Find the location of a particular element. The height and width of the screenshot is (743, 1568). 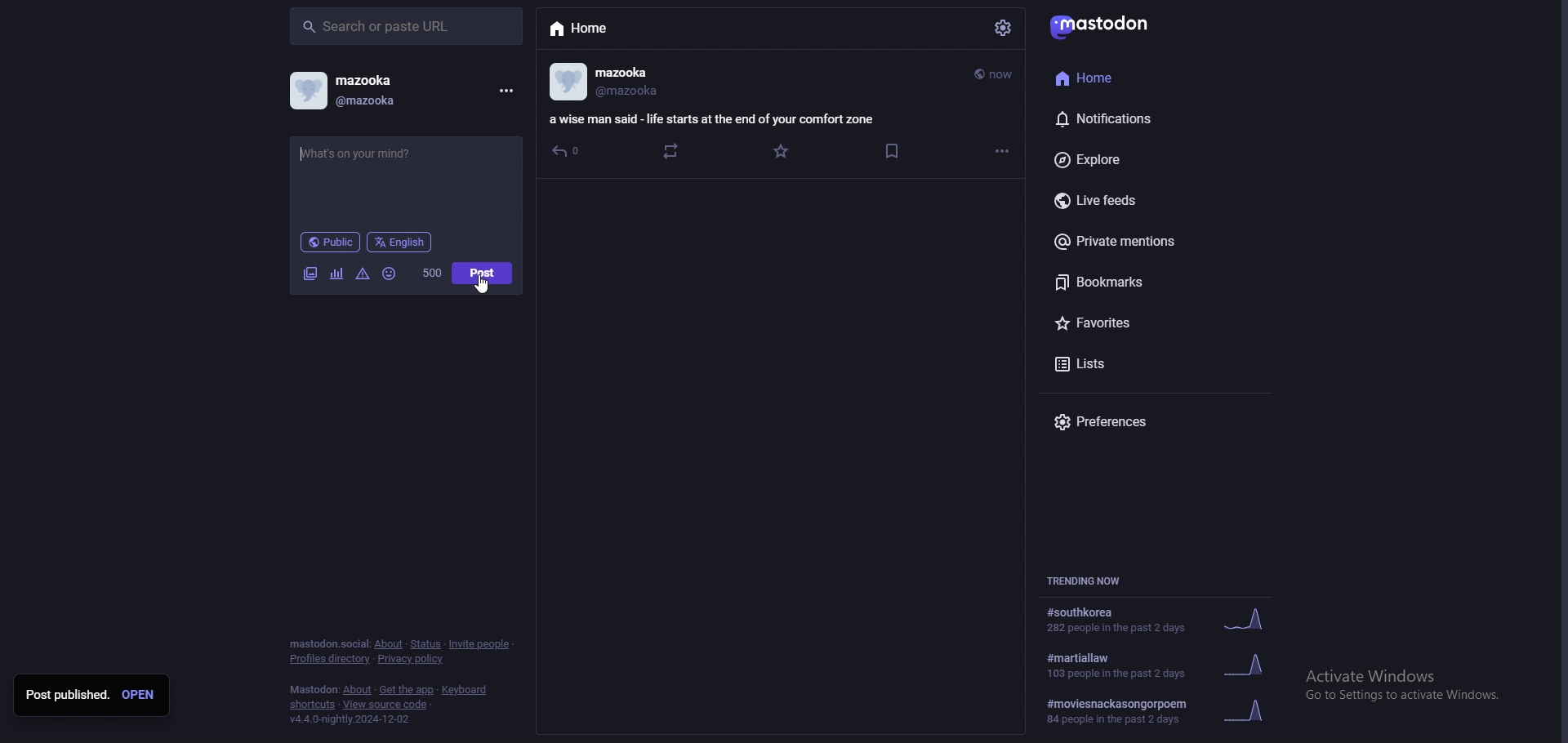

profile picture is located at coordinates (306, 89).